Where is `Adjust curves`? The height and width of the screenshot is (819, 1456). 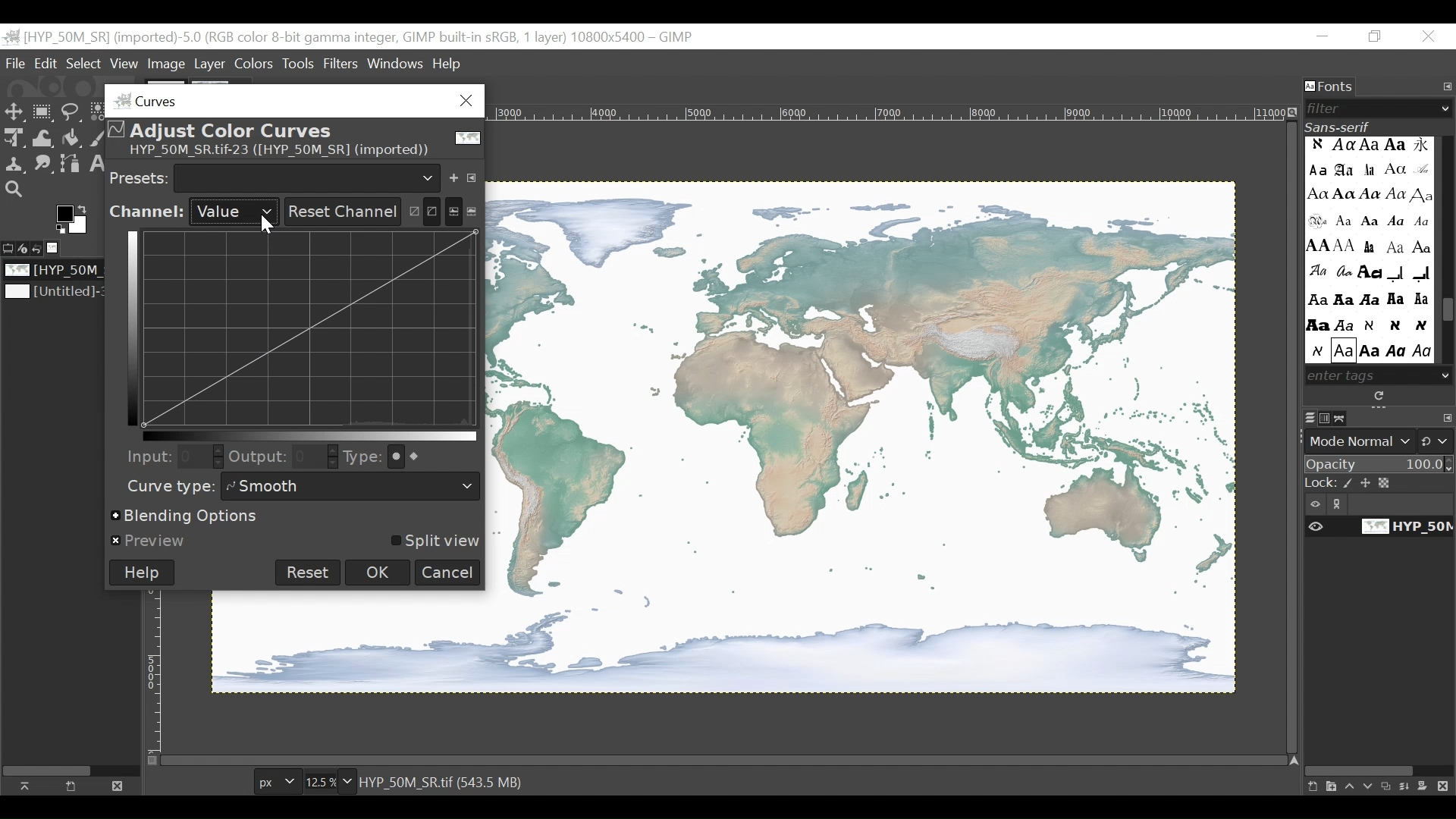
Adjust curves is located at coordinates (422, 209).